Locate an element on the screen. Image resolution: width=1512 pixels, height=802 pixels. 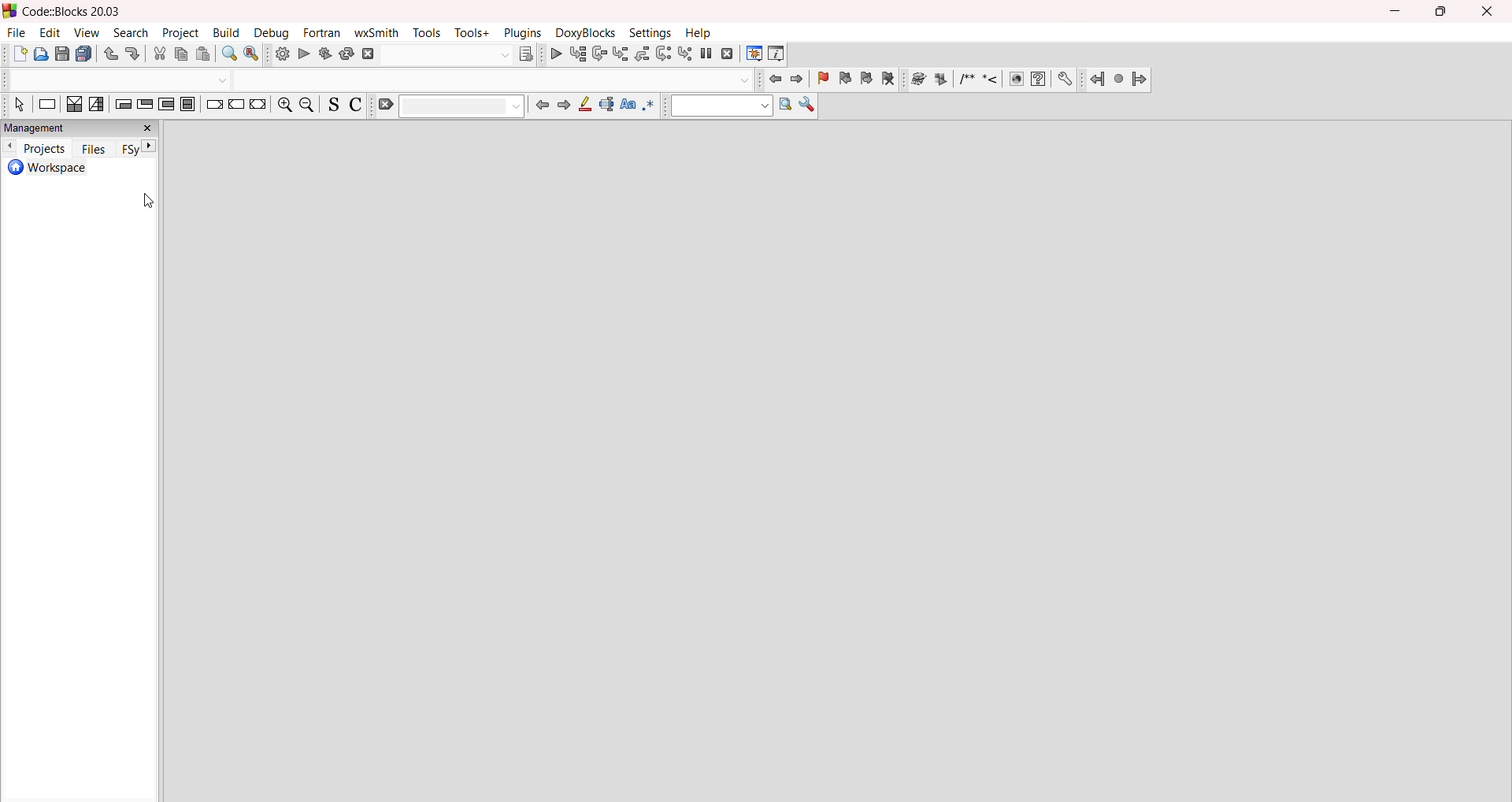
text to search is located at coordinates (720, 106).